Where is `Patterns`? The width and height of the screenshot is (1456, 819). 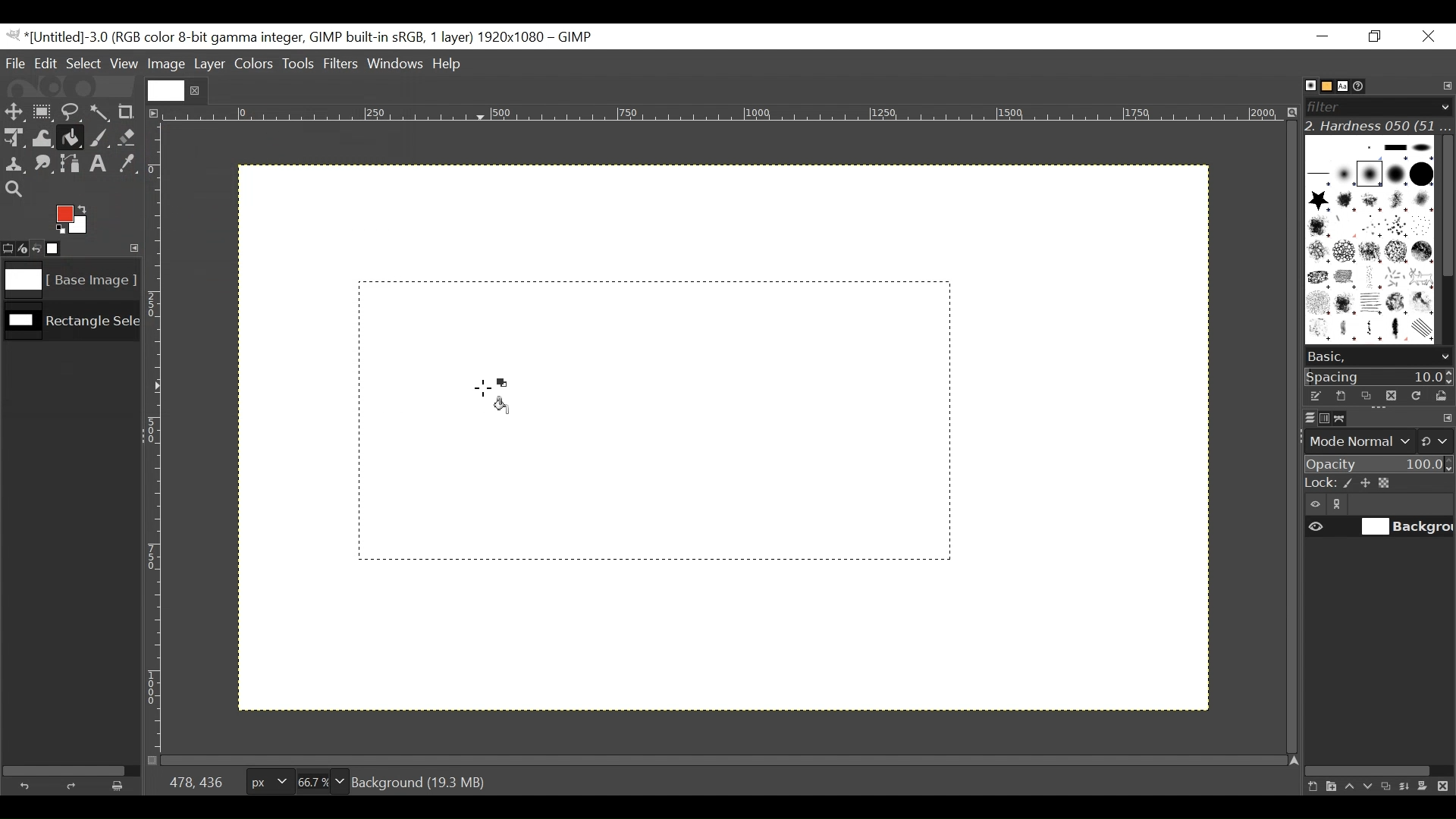
Patterns is located at coordinates (1365, 243).